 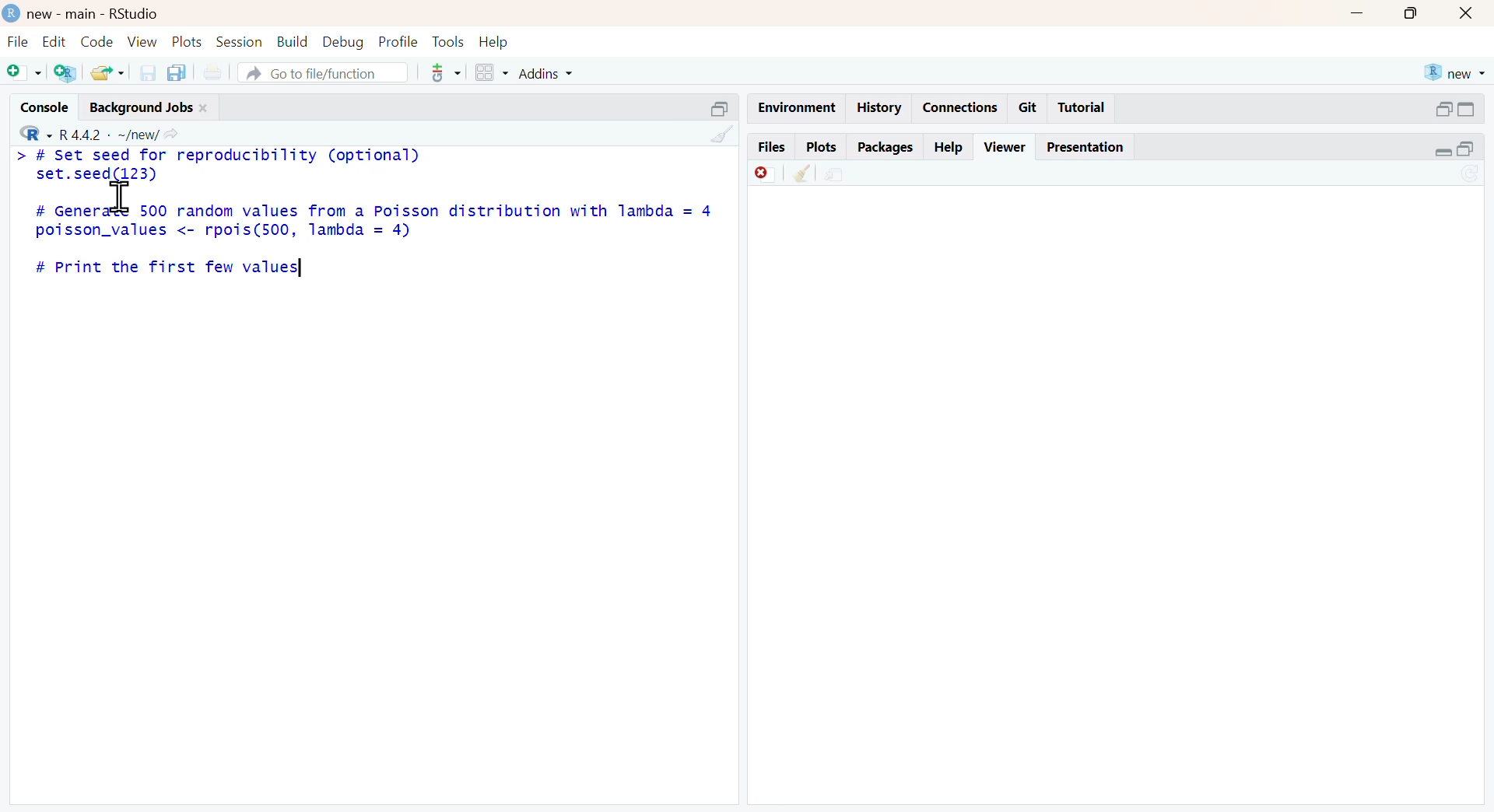 What do you see at coordinates (948, 148) in the screenshot?
I see `help` at bounding box center [948, 148].